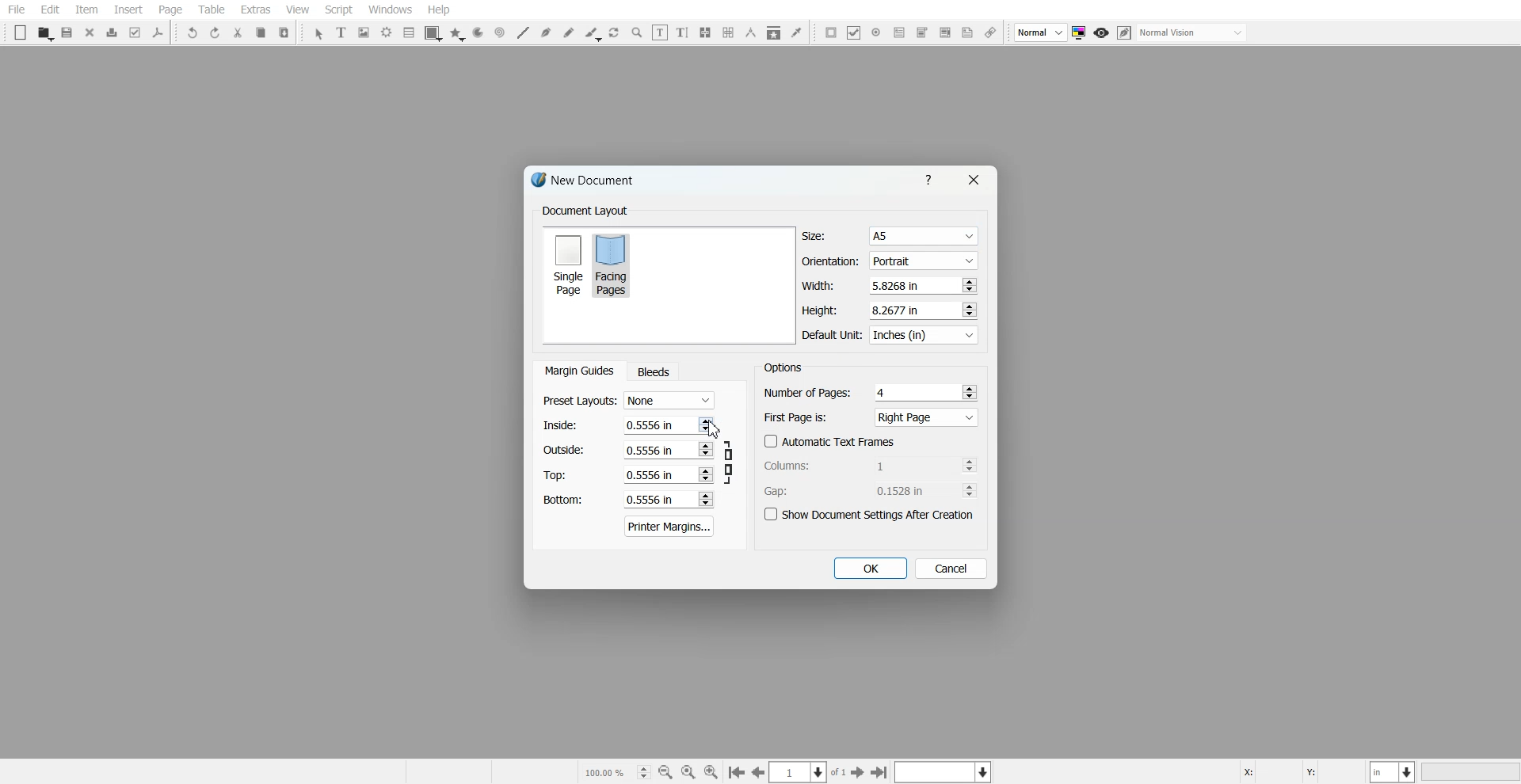 This screenshot has height=784, width=1521. What do you see at coordinates (796, 32) in the screenshot?
I see `Eye Dropper` at bounding box center [796, 32].